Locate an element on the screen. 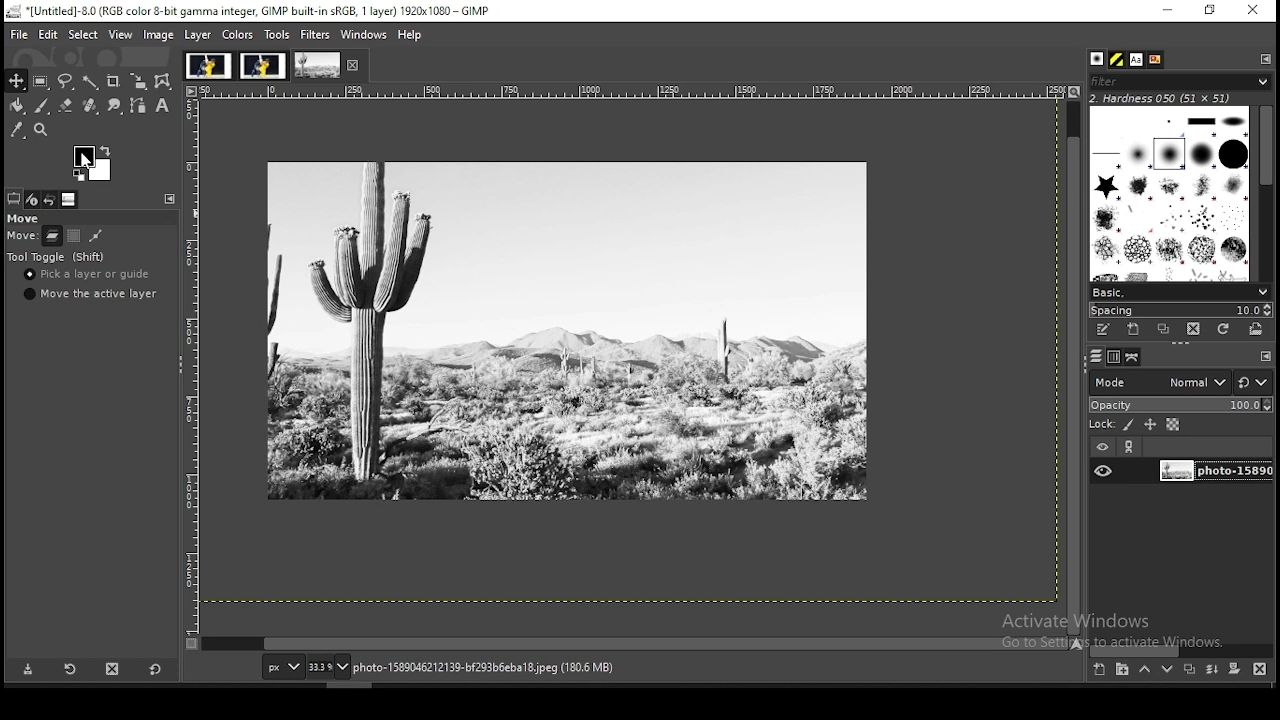 Image resolution: width=1280 pixels, height=720 pixels. image is located at coordinates (93, 165).